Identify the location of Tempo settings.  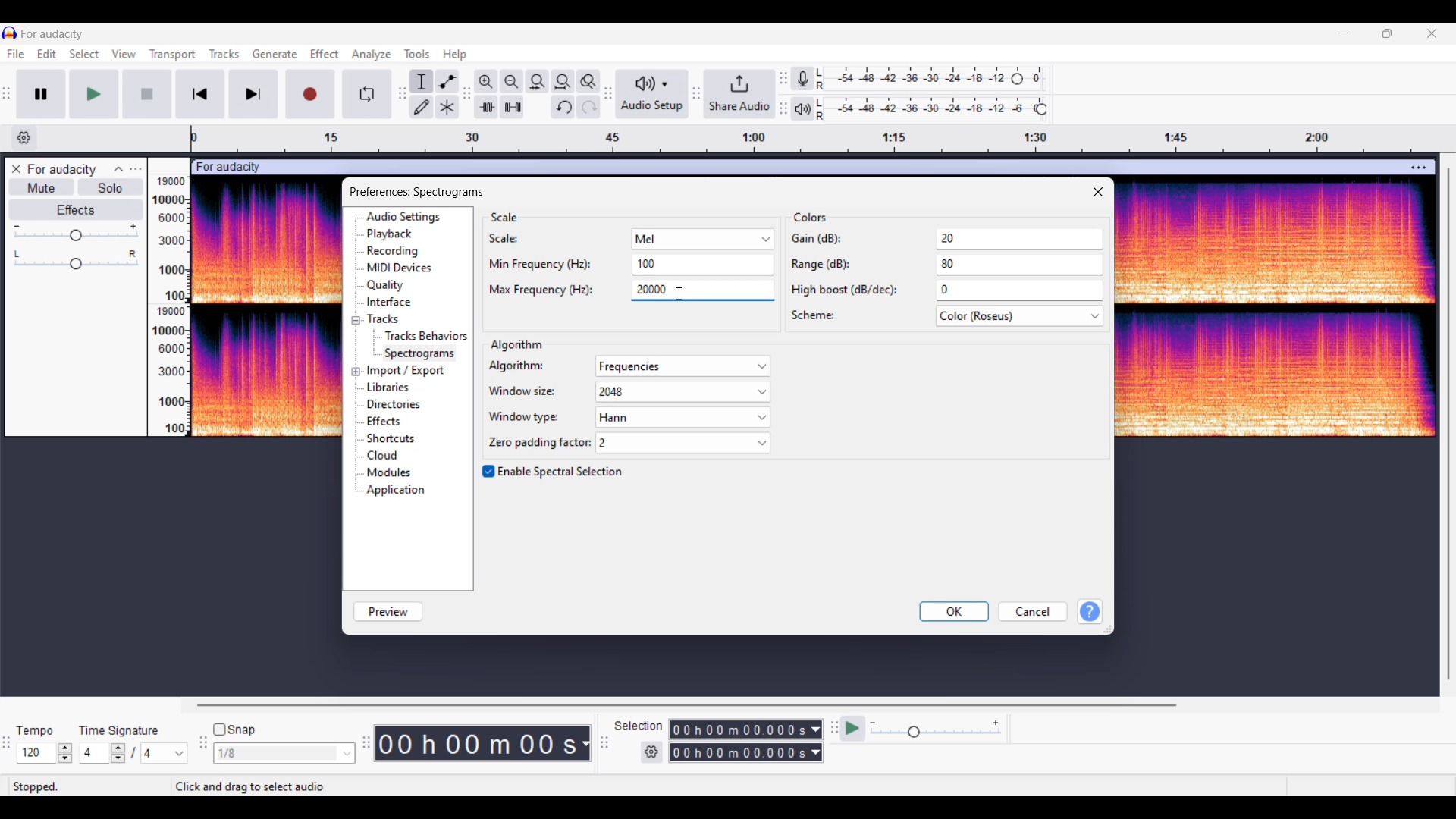
(45, 753).